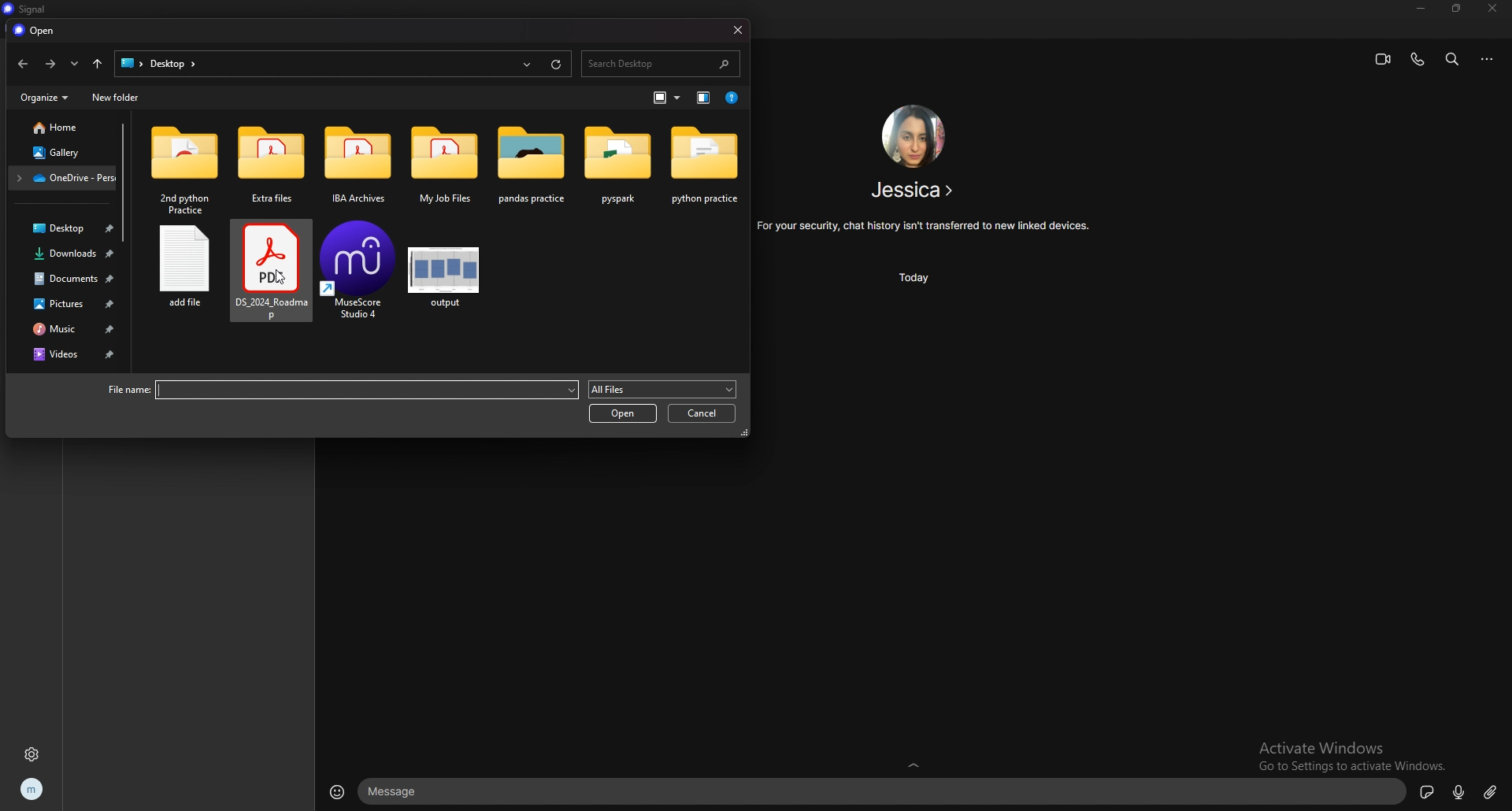 The image size is (1512, 811). I want to click on scroll bar, so click(122, 182).